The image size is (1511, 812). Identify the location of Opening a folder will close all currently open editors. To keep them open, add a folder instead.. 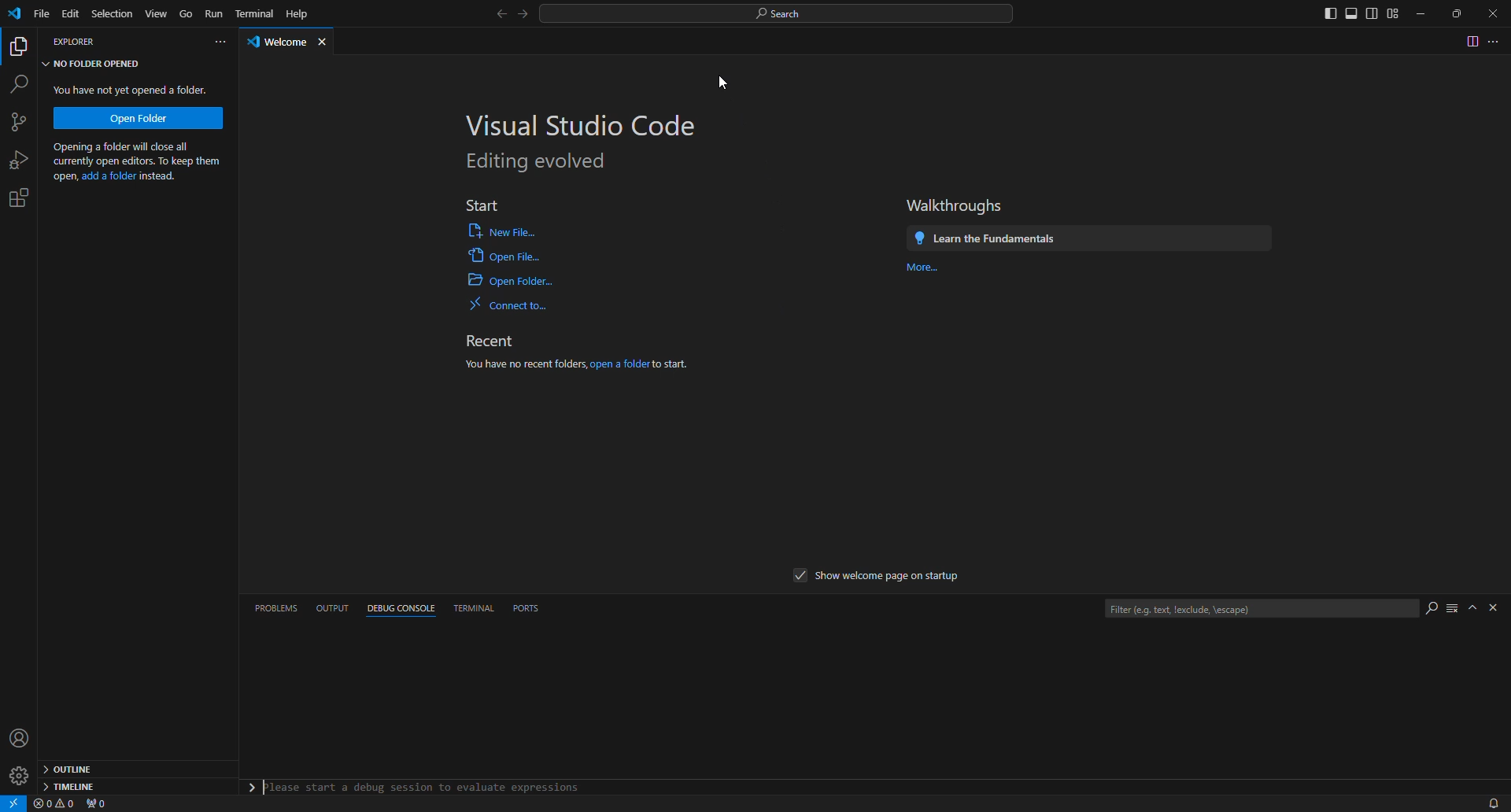
(140, 161).